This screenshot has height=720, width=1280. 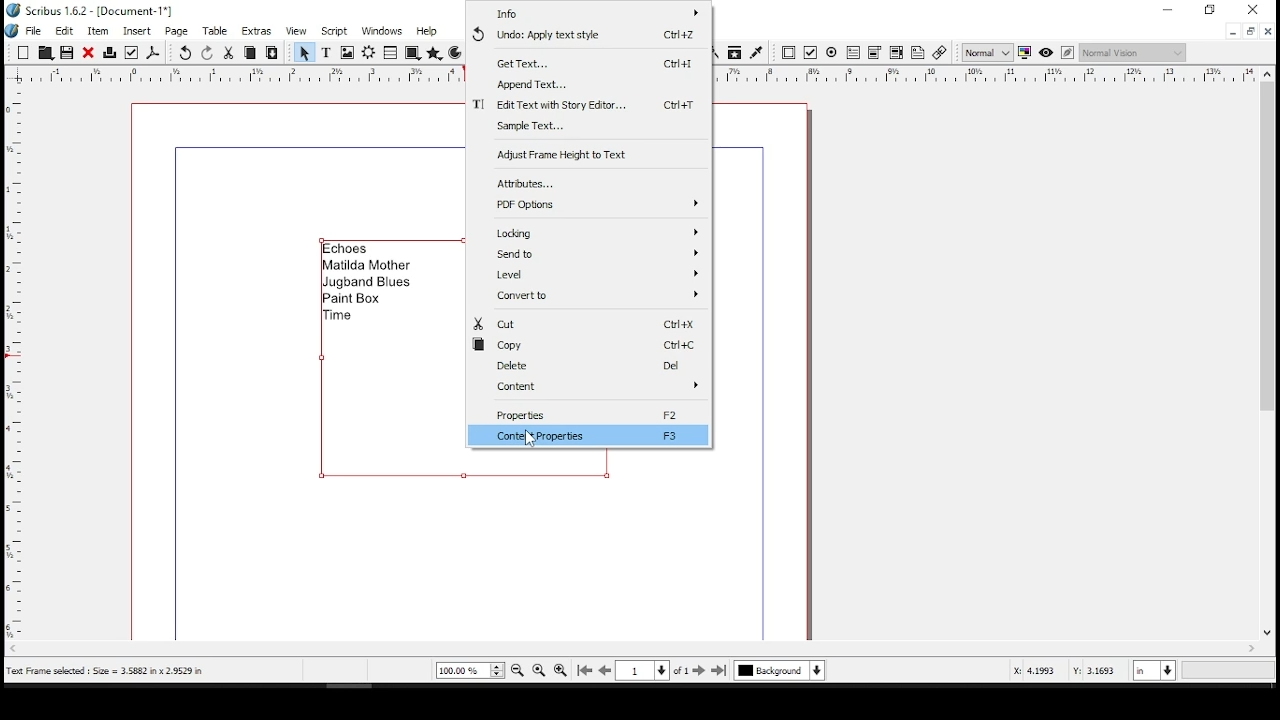 What do you see at coordinates (590, 86) in the screenshot?
I see `append text` at bounding box center [590, 86].